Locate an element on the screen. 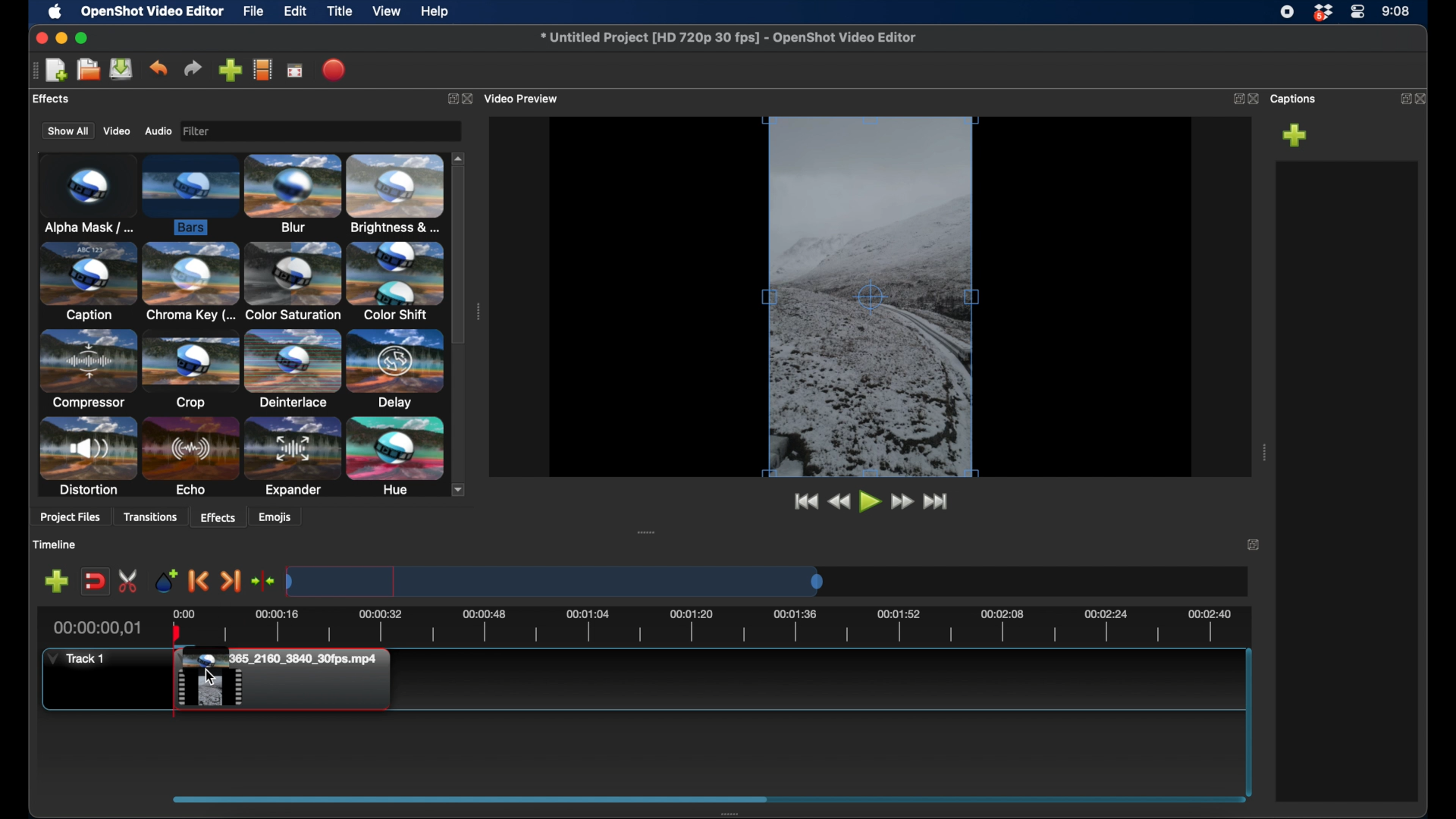 Image resolution: width=1456 pixels, height=819 pixels. drag handle is located at coordinates (478, 312).